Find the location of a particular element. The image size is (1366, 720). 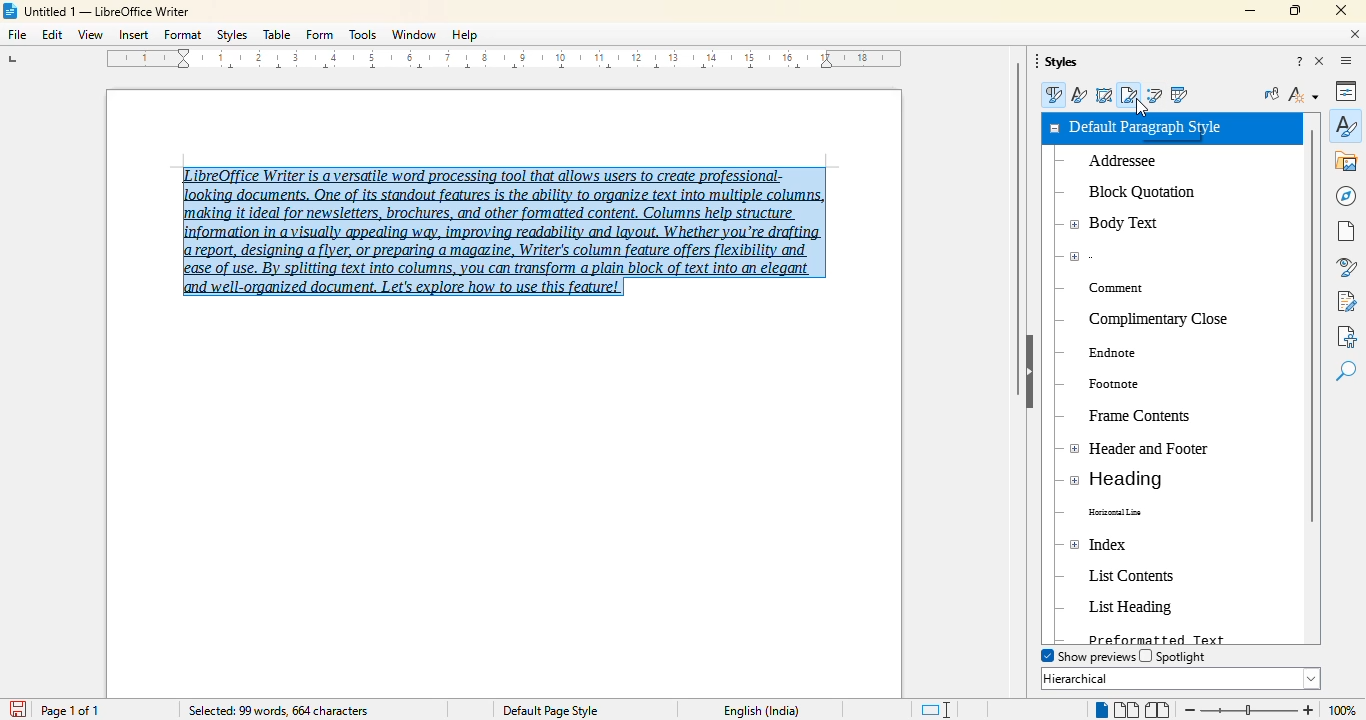

Block Quotation is located at coordinates (1136, 190).